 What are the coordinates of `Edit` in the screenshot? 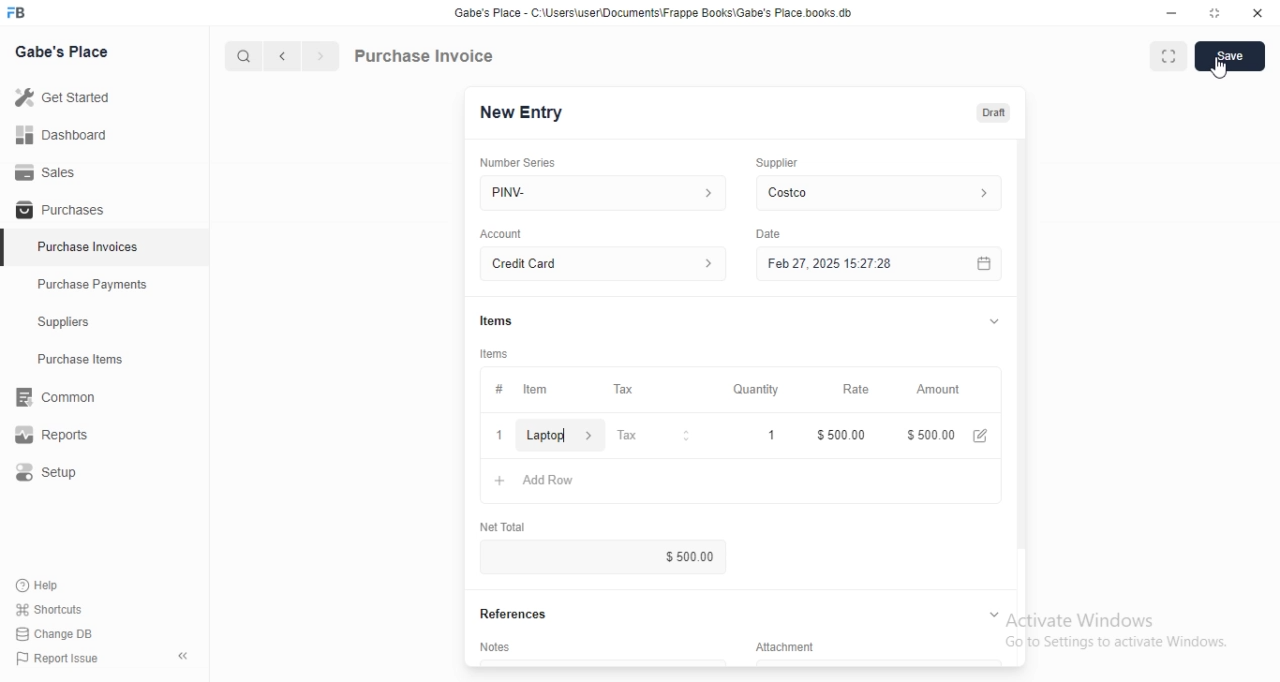 It's located at (980, 436).